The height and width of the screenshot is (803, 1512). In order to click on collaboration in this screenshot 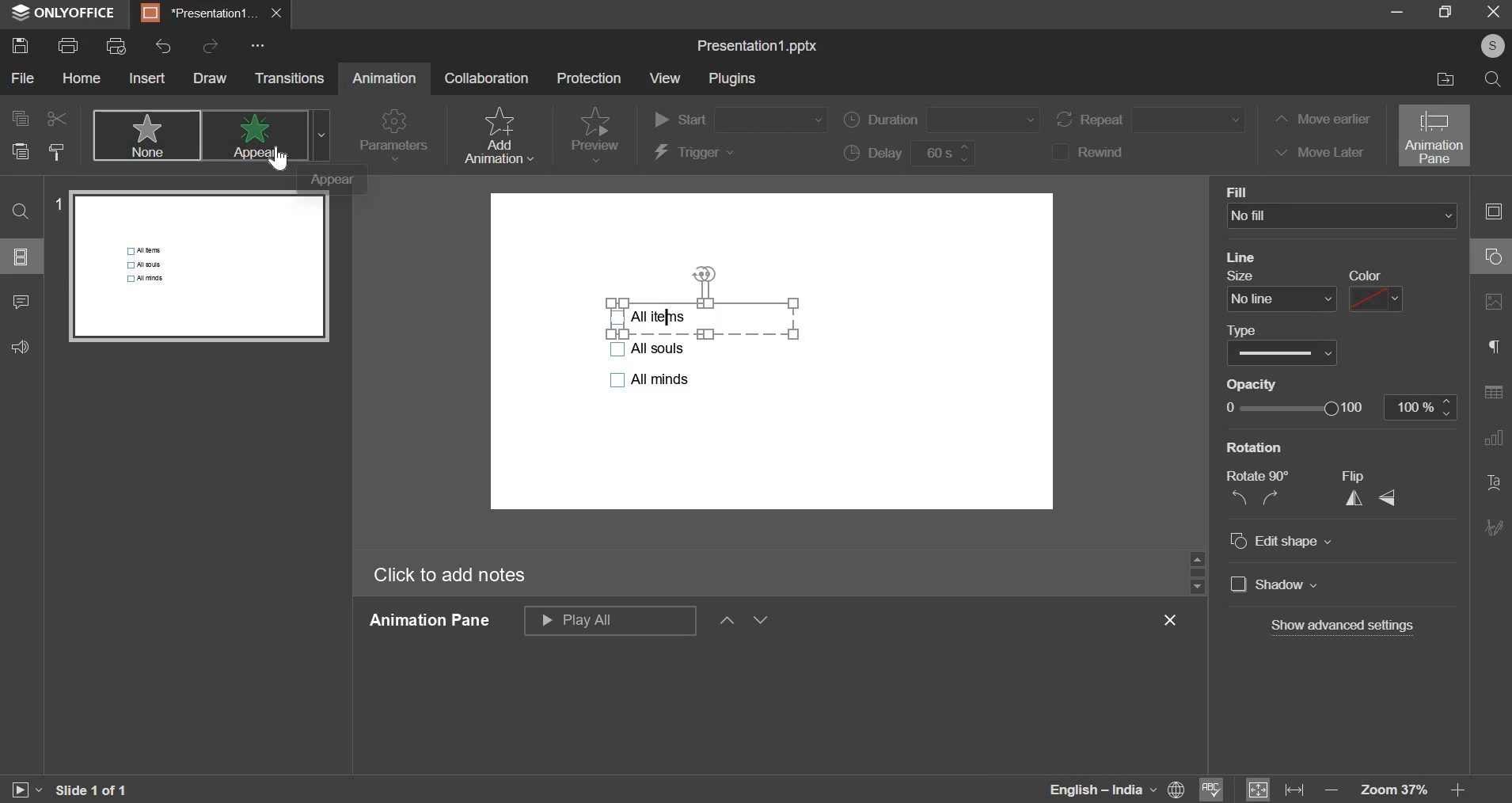, I will do `click(487, 77)`.